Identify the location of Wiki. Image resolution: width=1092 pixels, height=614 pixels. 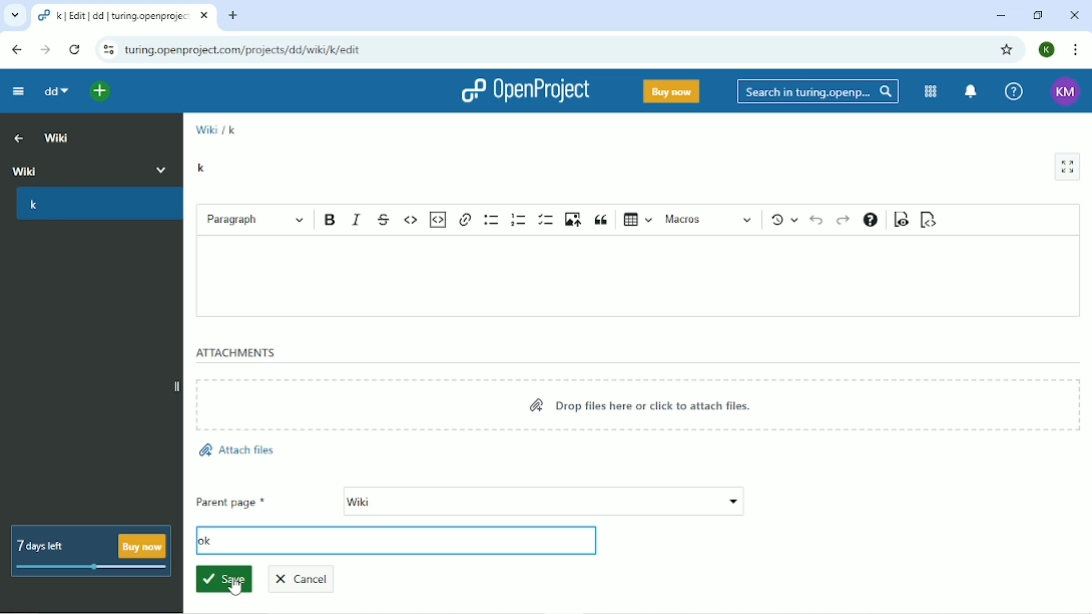
(205, 129).